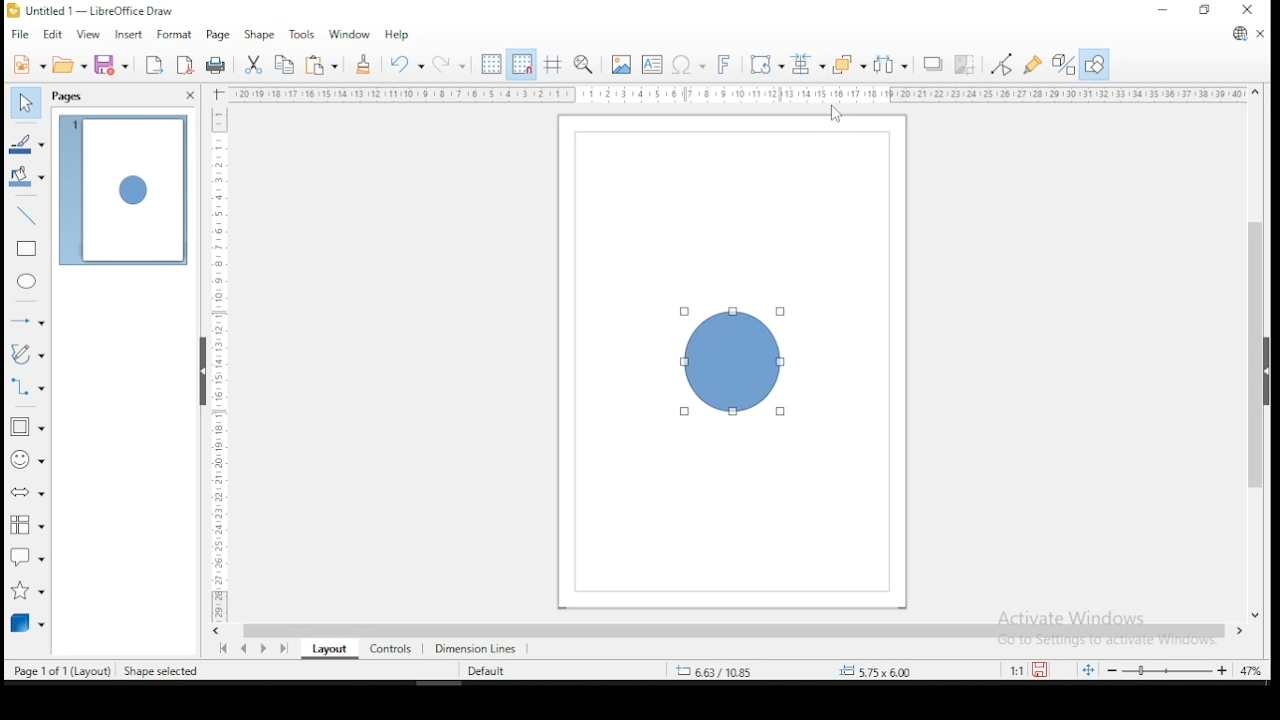 Image resolution: width=1280 pixels, height=720 pixels. I want to click on scroll bar, so click(1256, 352).